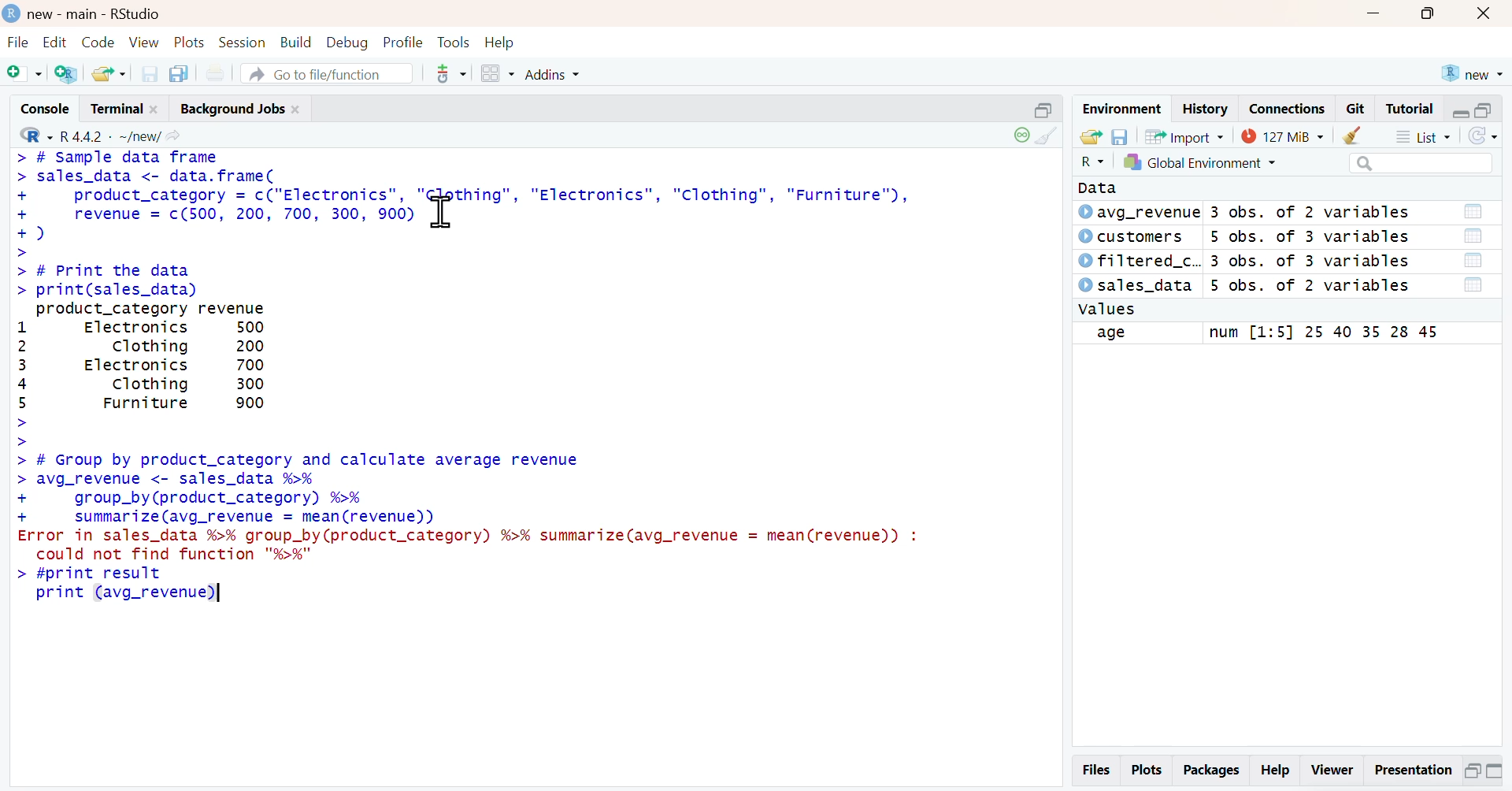 This screenshot has width=1512, height=791. I want to click on Plots, so click(1147, 771).